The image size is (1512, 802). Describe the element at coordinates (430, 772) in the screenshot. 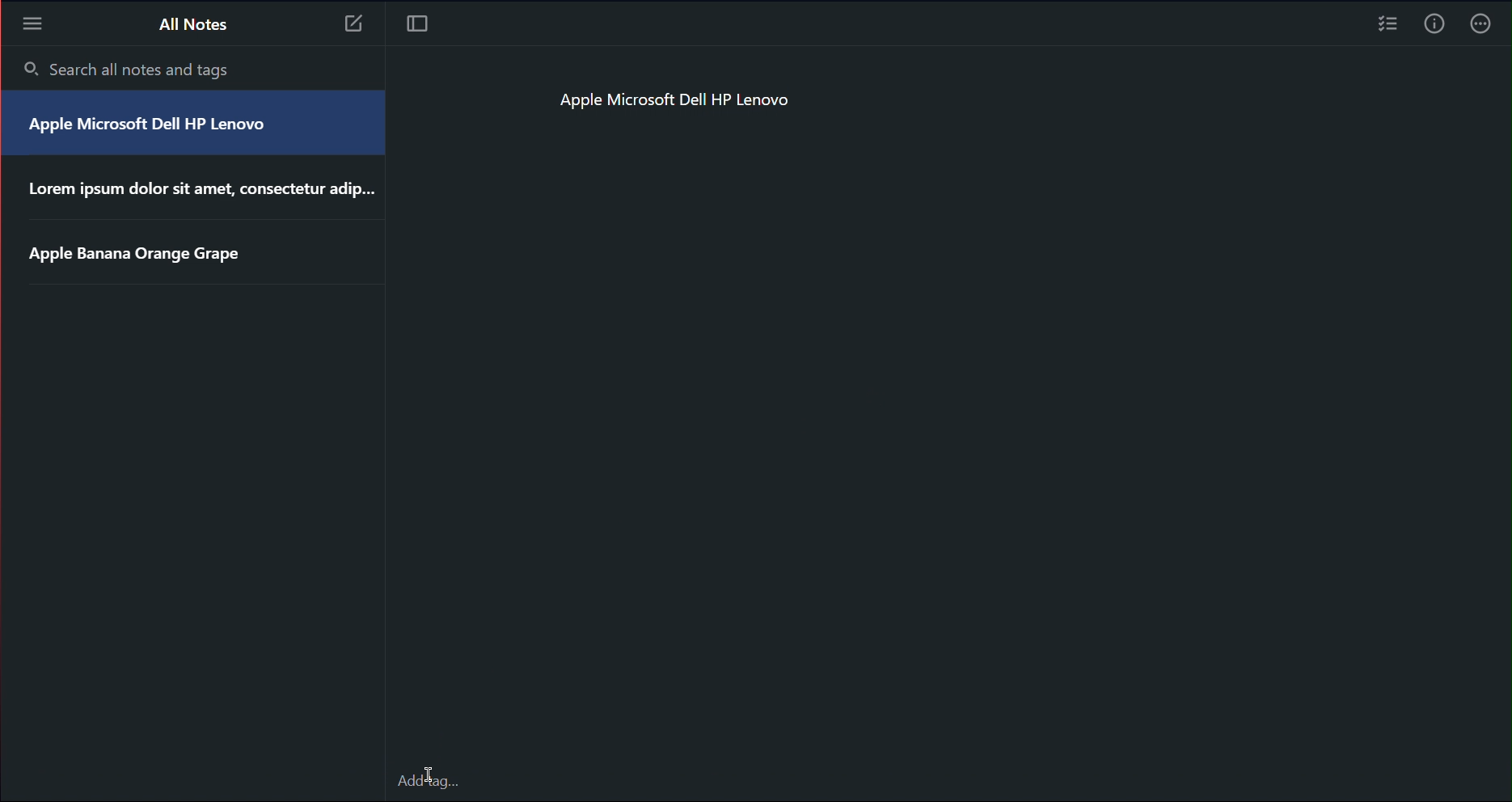

I see `Cursor` at that location.